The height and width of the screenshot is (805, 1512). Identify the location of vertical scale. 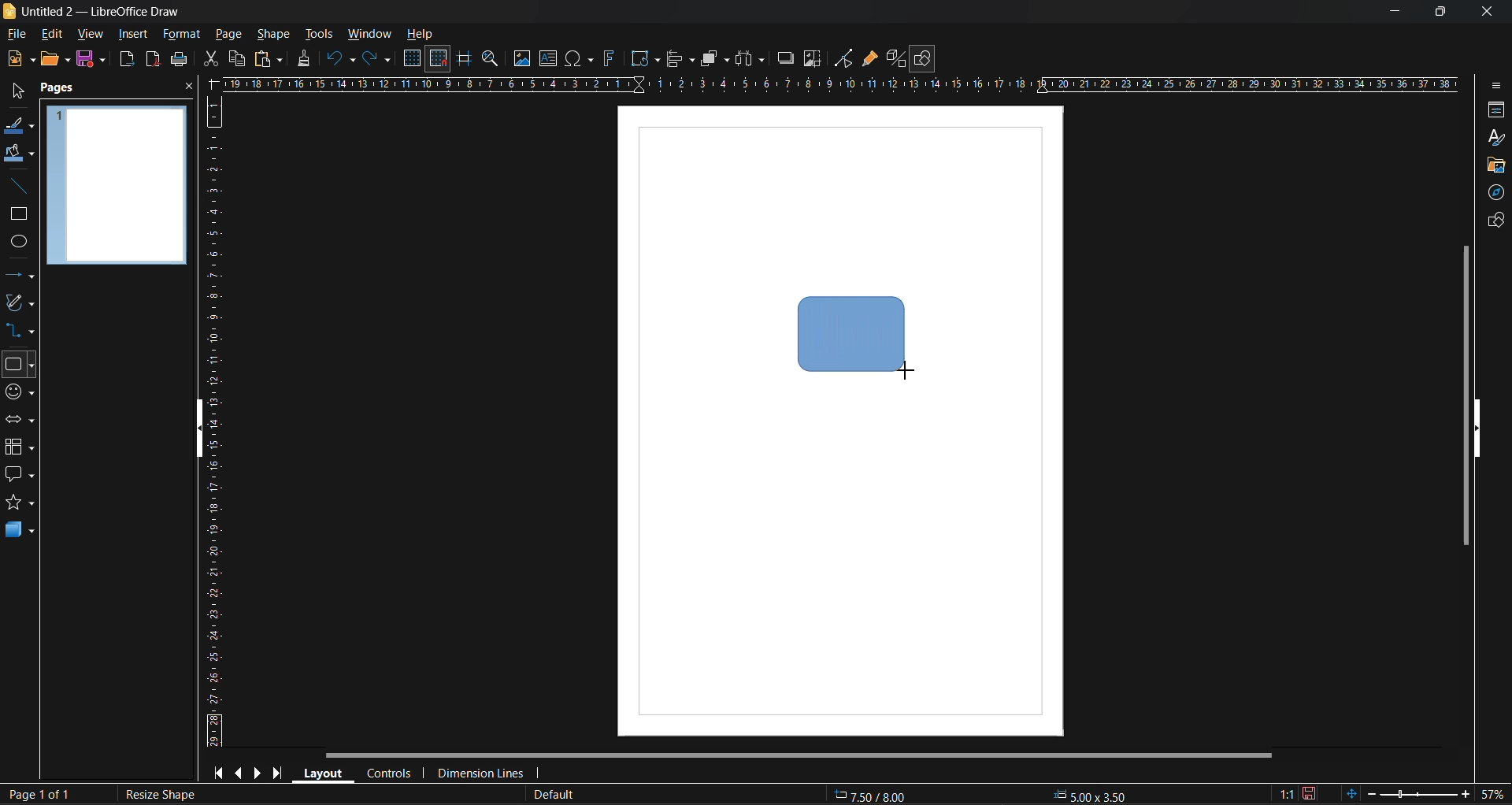
(213, 421).